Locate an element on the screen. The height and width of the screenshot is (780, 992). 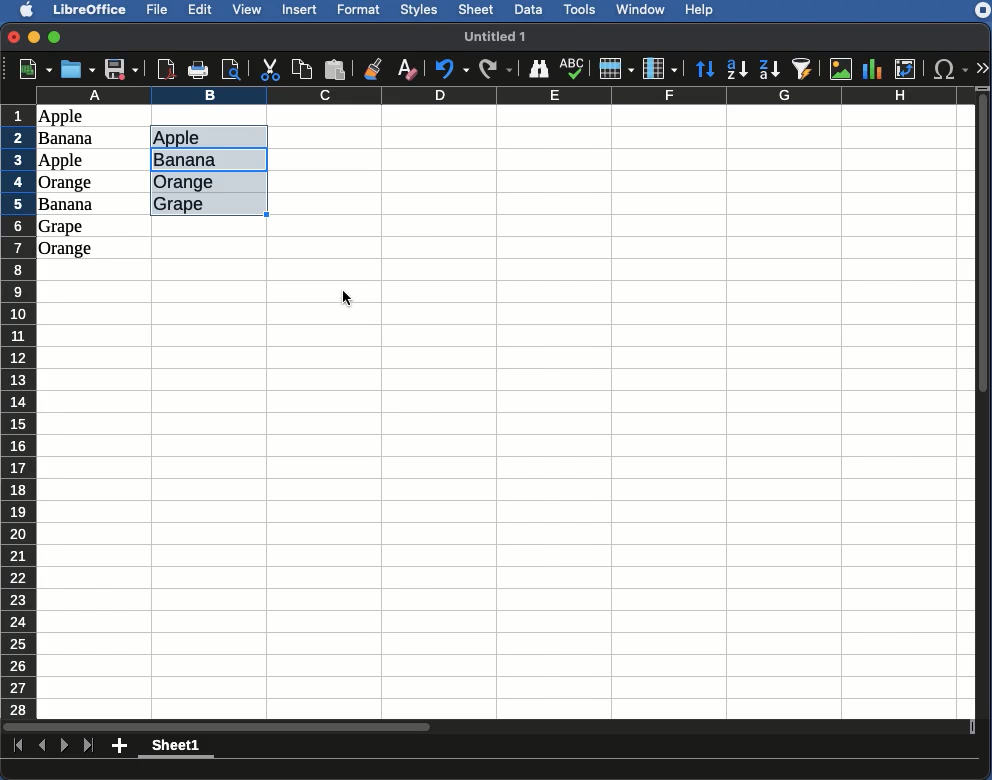
Scroll is located at coordinates (985, 407).